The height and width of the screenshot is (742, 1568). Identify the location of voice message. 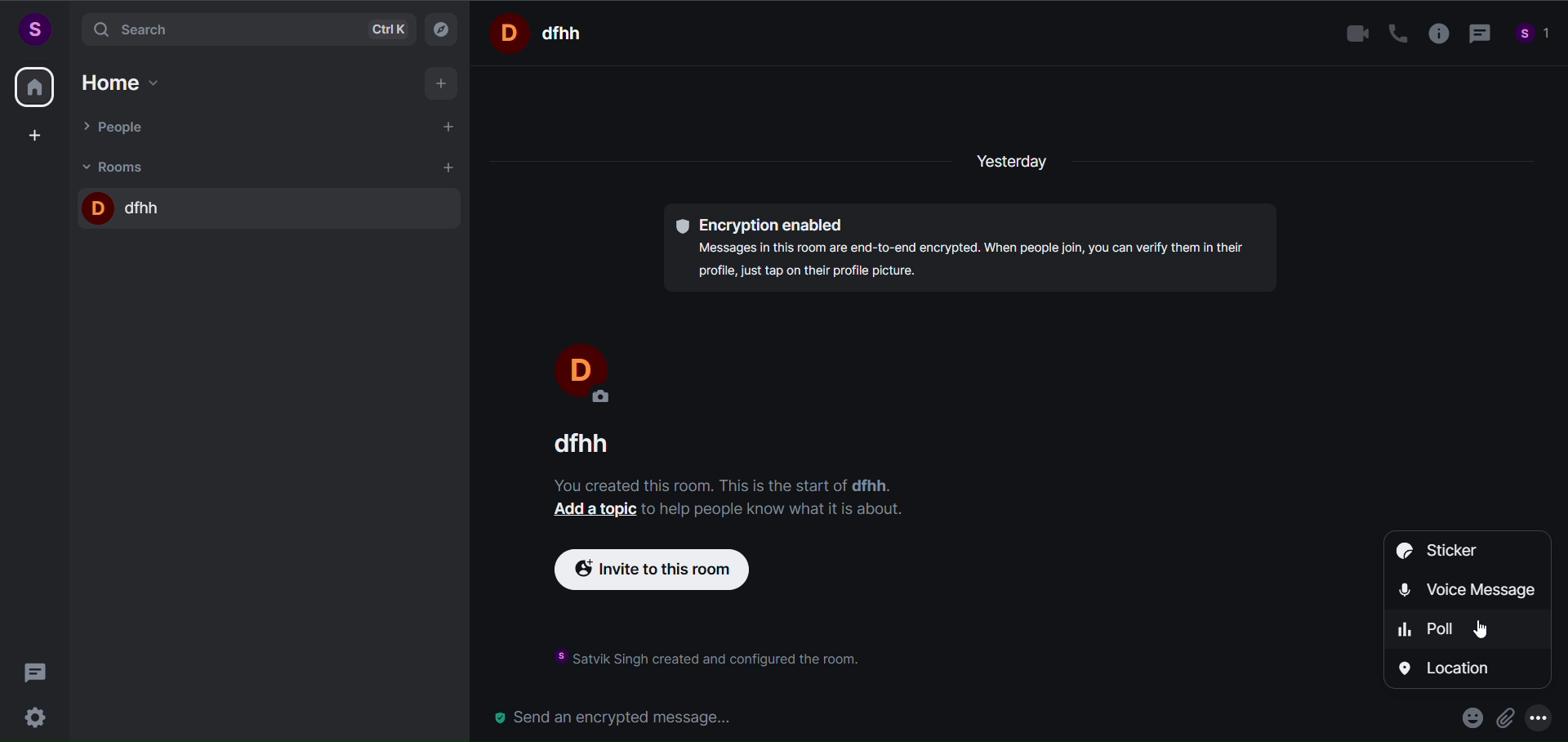
(1467, 591).